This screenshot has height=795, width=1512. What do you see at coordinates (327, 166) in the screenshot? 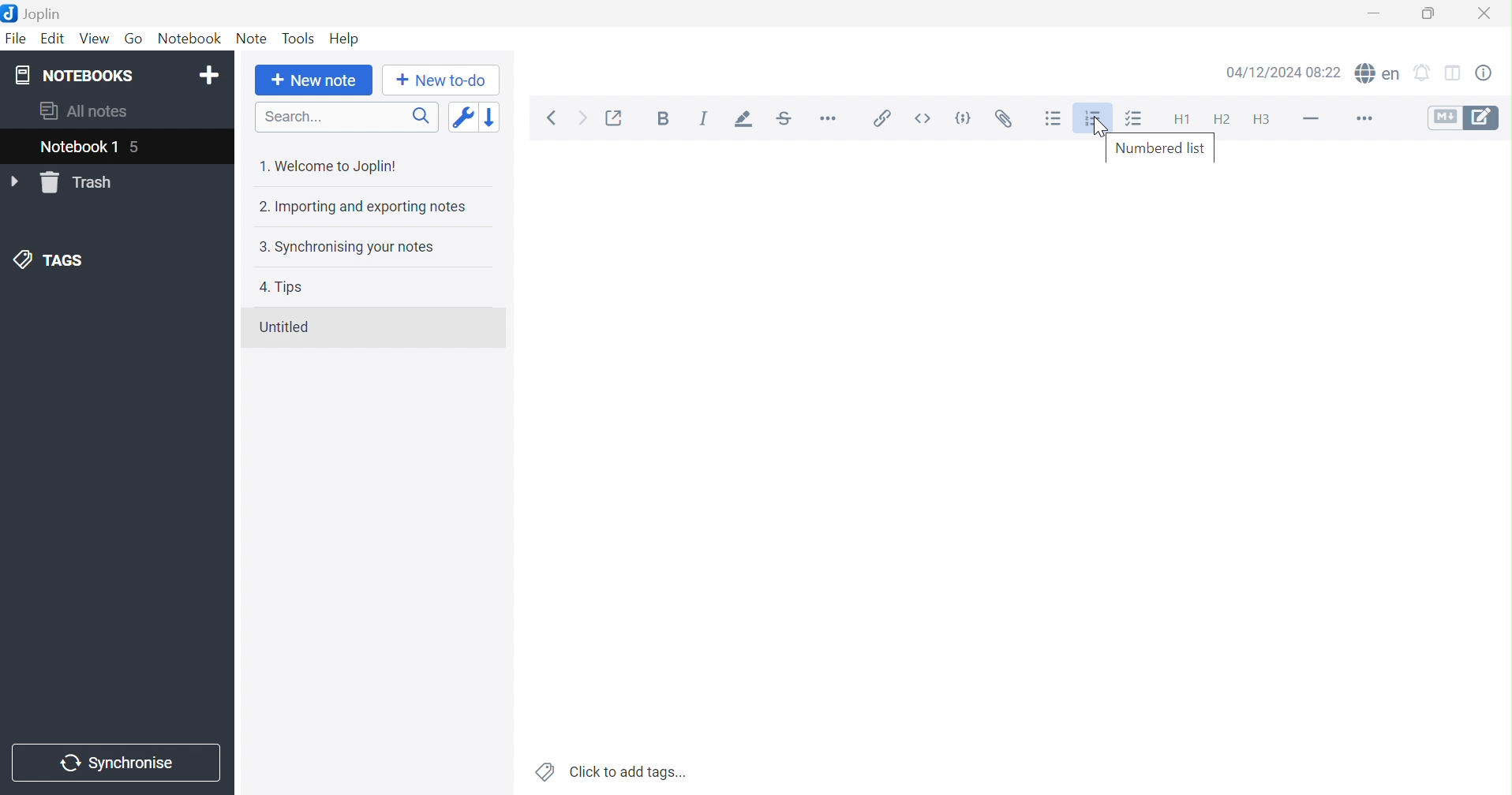
I see `1. Welcome to Joplin!` at bounding box center [327, 166].